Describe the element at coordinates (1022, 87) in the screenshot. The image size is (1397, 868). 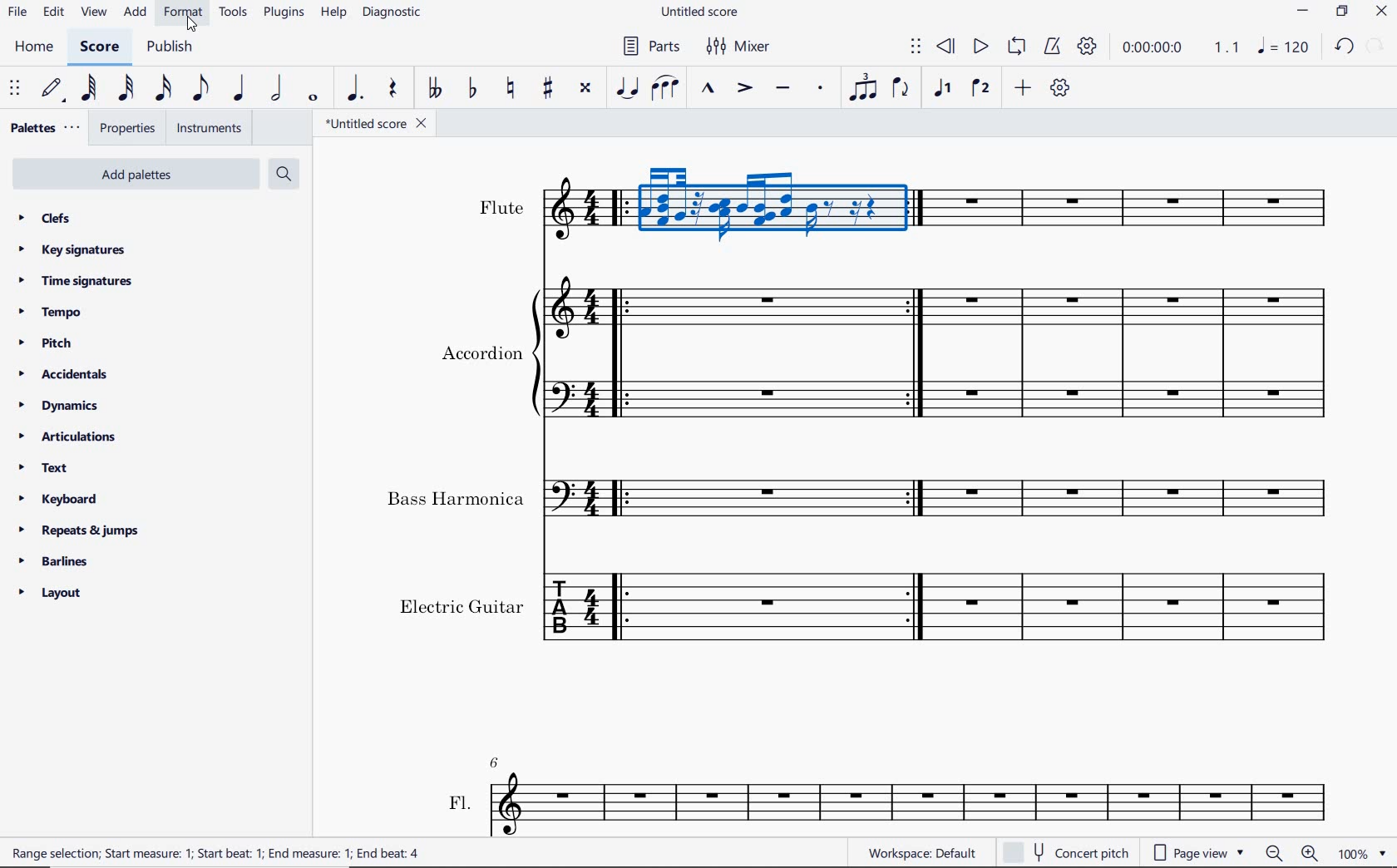
I see `add` at that location.